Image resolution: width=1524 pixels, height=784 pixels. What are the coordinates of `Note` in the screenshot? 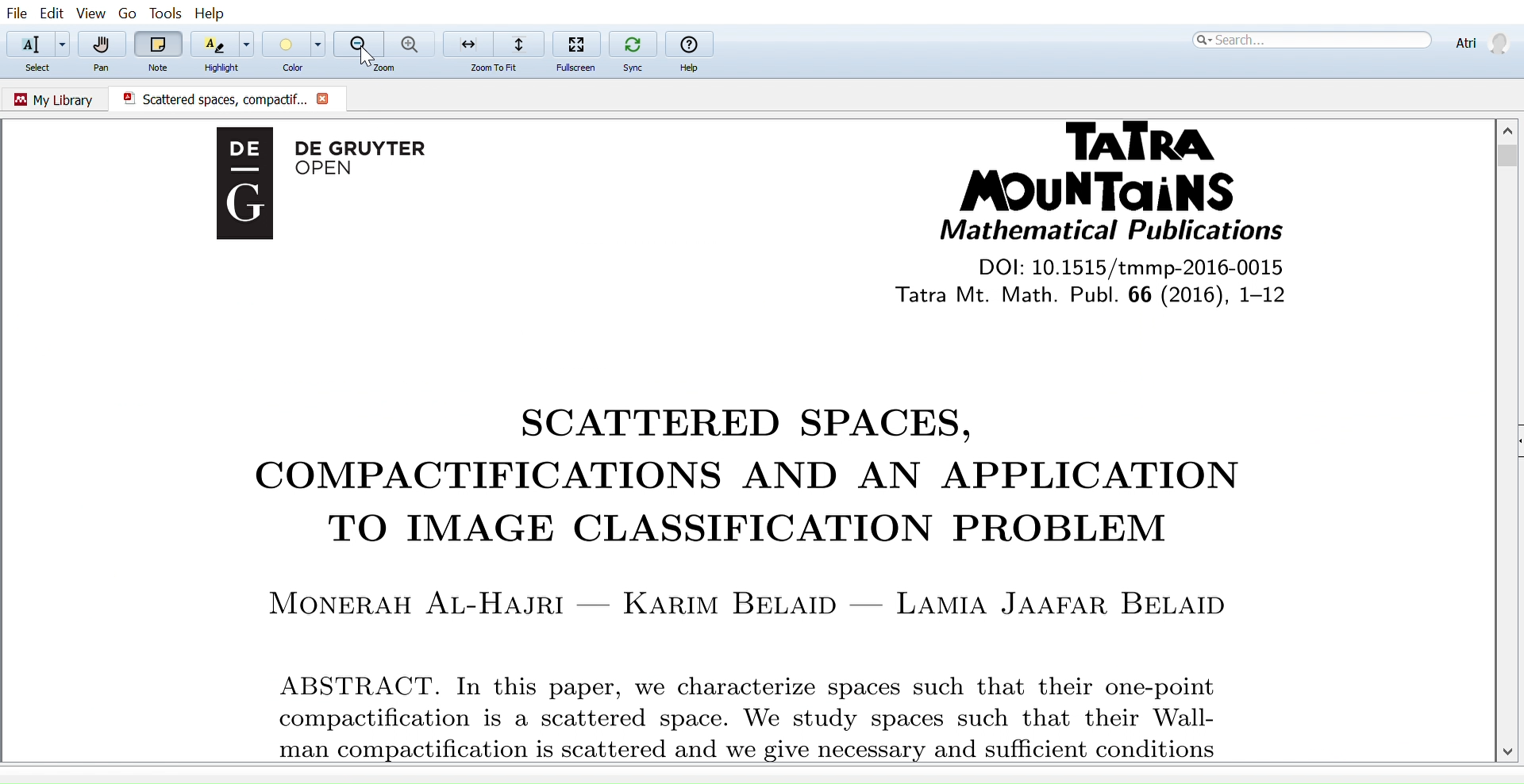 It's located at (161, 66).